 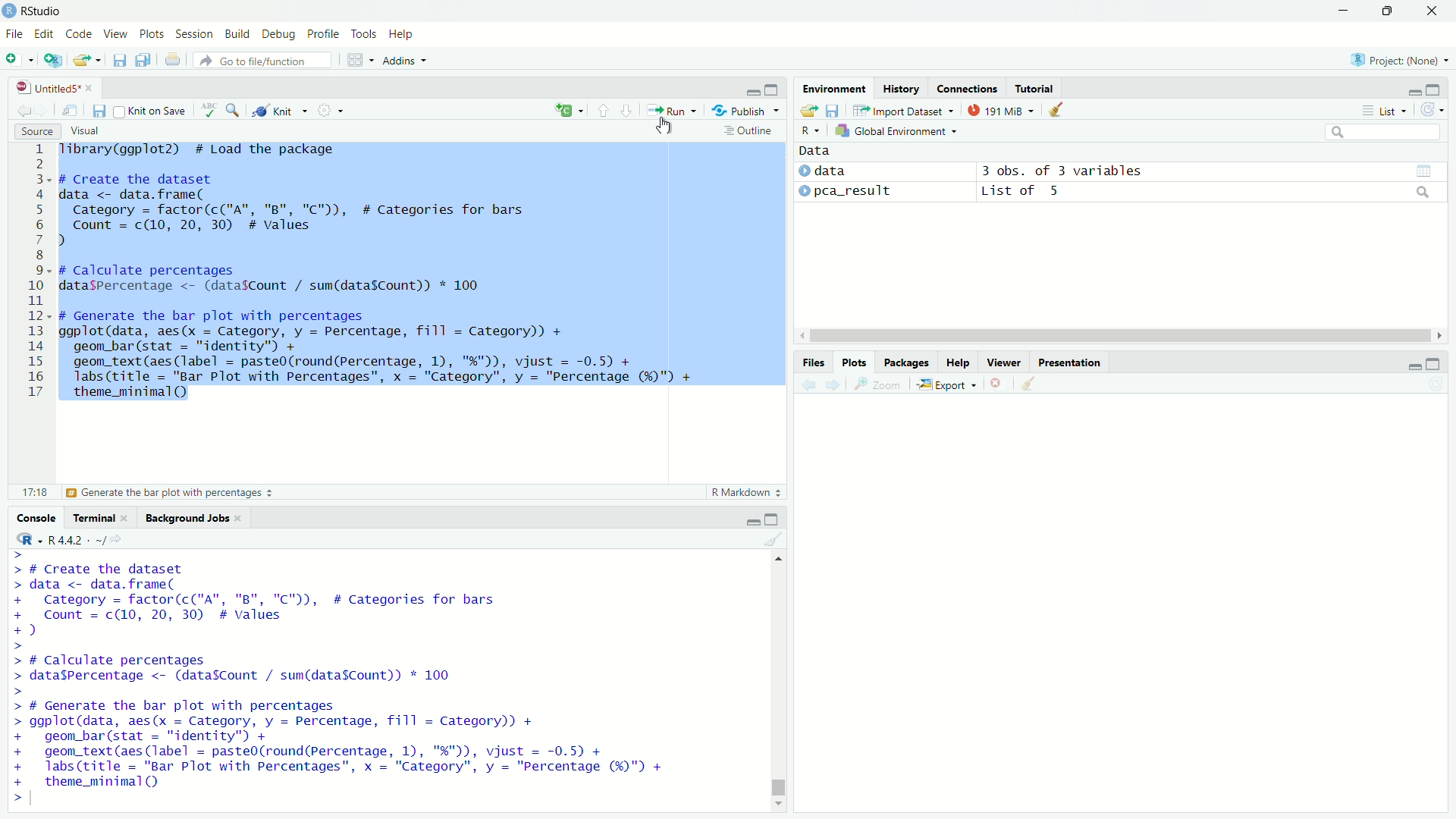 What do you see at coordinates (1433, 362) in the screenshot?
I see `maximize` at bounding box center [1433, 362].